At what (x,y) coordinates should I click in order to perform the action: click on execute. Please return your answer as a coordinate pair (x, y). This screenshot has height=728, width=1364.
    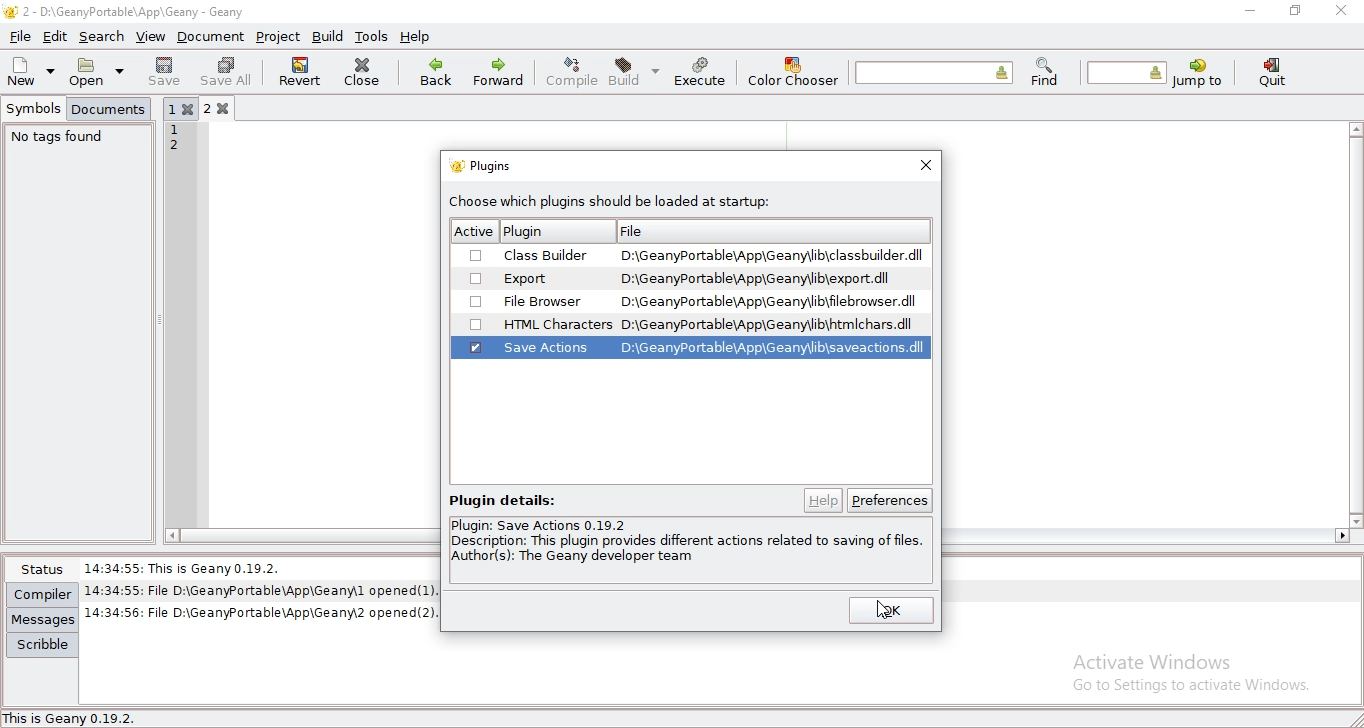
    Looking at the image, I should click on (701, 72).